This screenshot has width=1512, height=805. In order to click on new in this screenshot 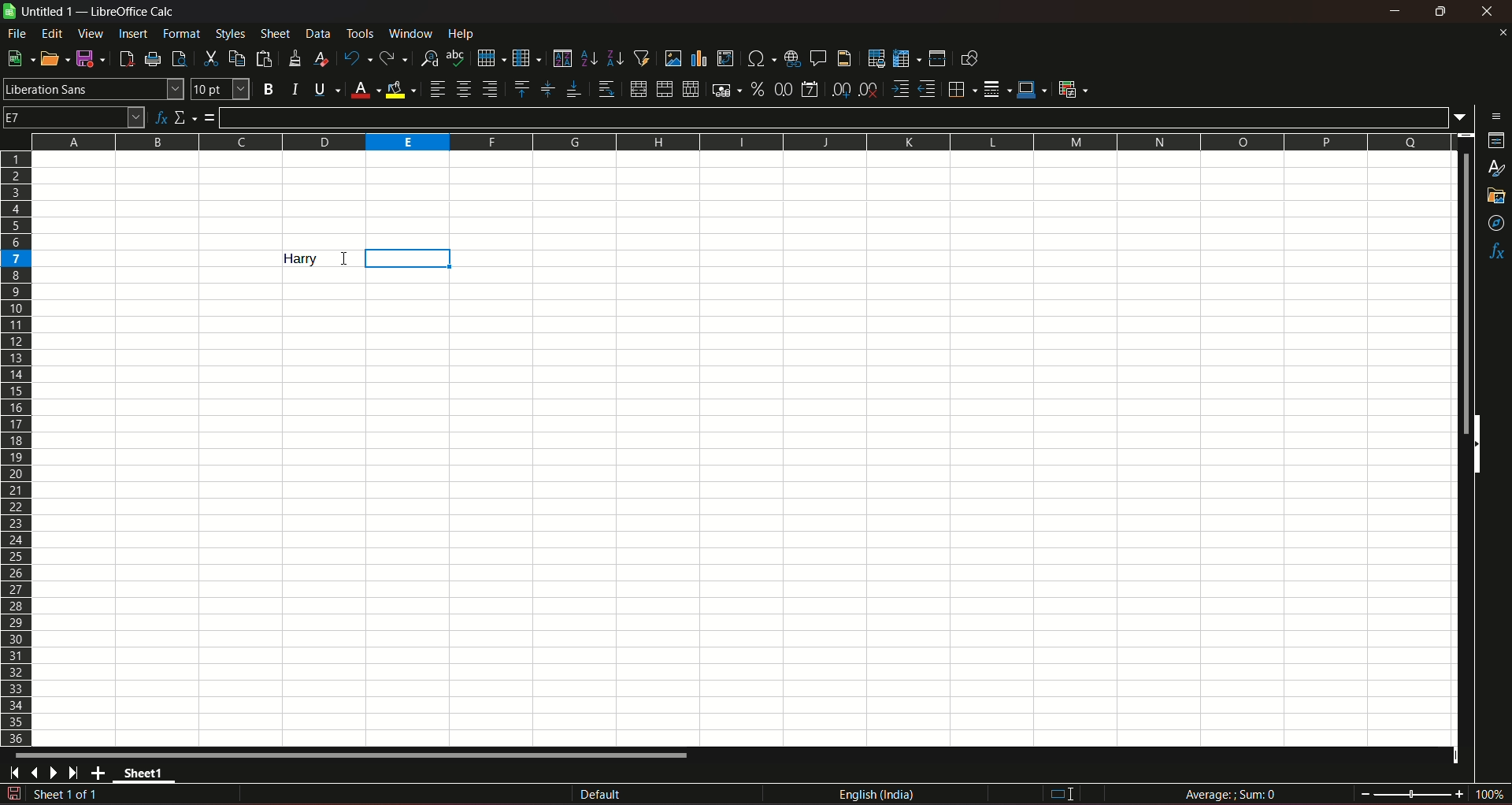, I will do `click(18, 58)`.